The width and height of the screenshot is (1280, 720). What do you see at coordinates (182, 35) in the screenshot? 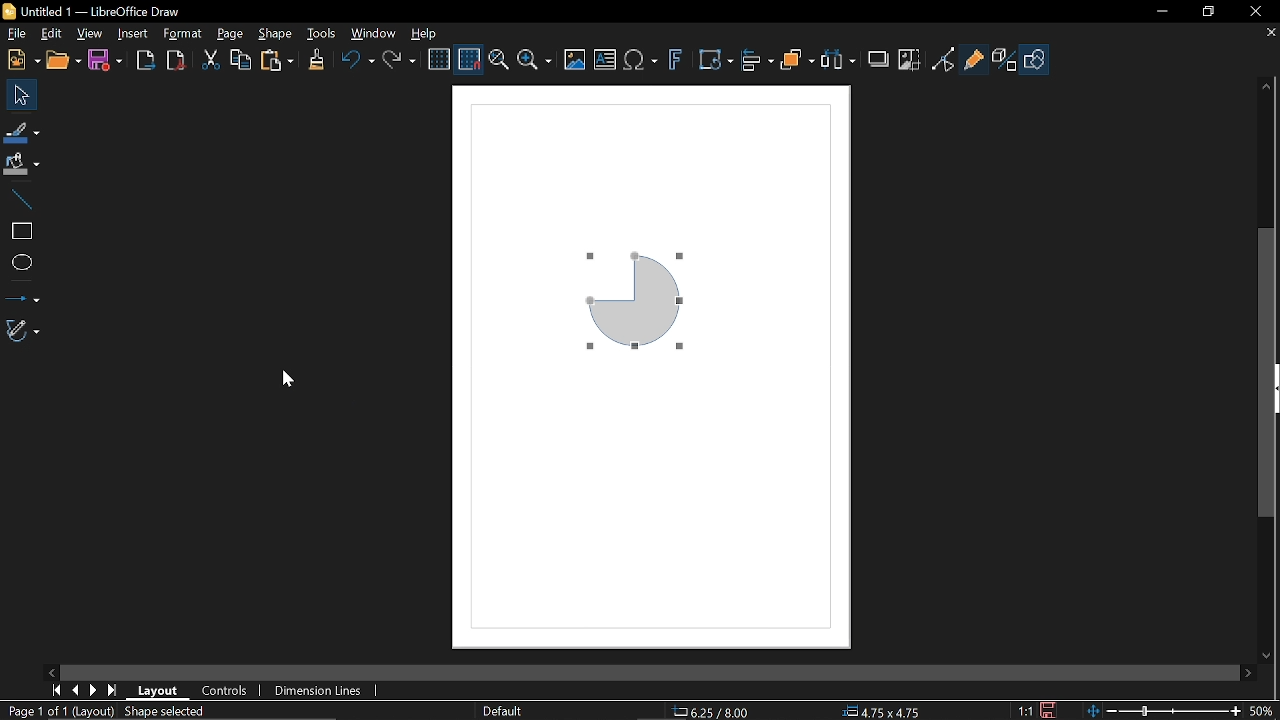
I see `Format` at bounding box center [182, 35].